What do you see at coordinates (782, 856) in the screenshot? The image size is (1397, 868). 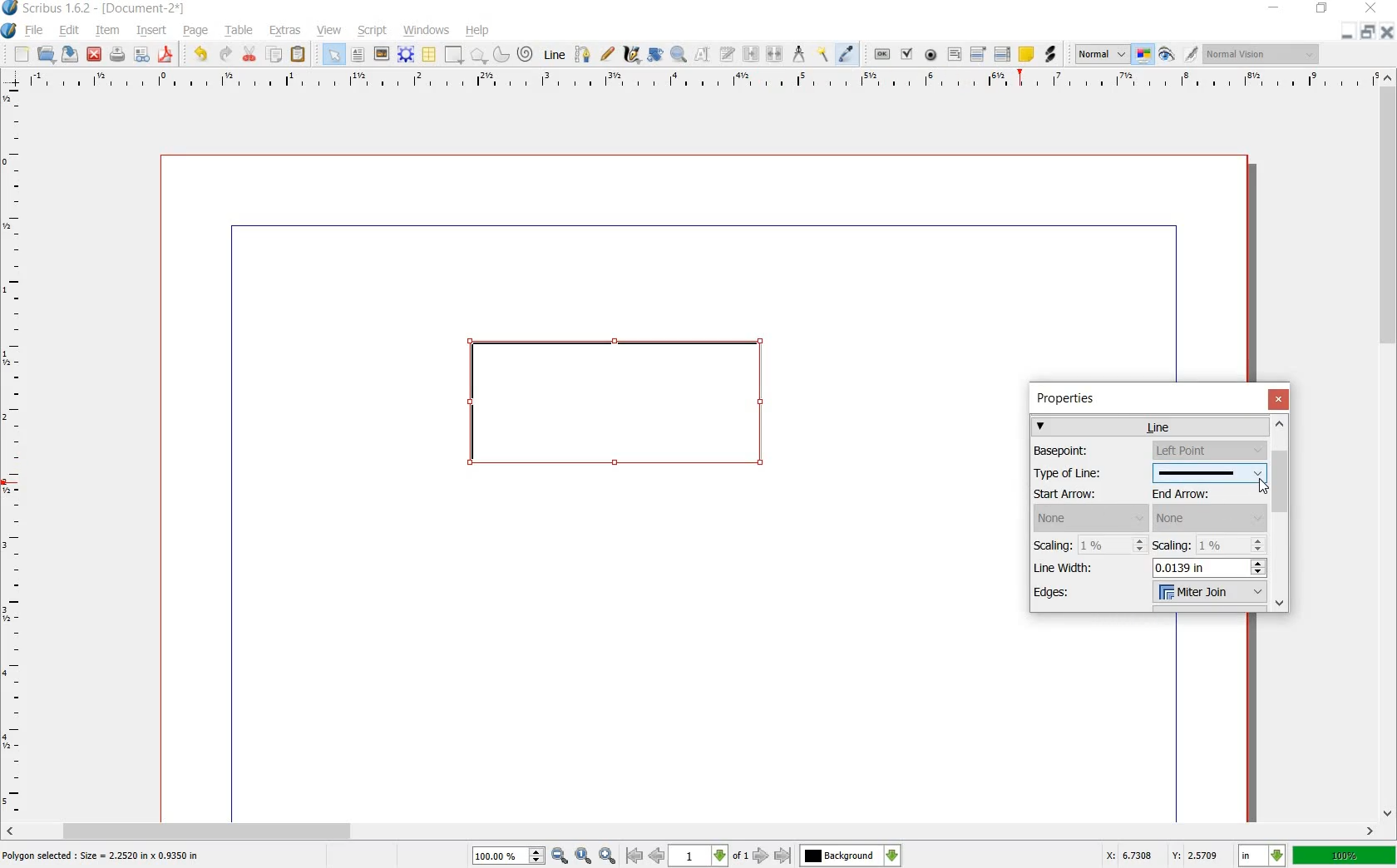 I see `go to last page` at bounding box center [782, 856].